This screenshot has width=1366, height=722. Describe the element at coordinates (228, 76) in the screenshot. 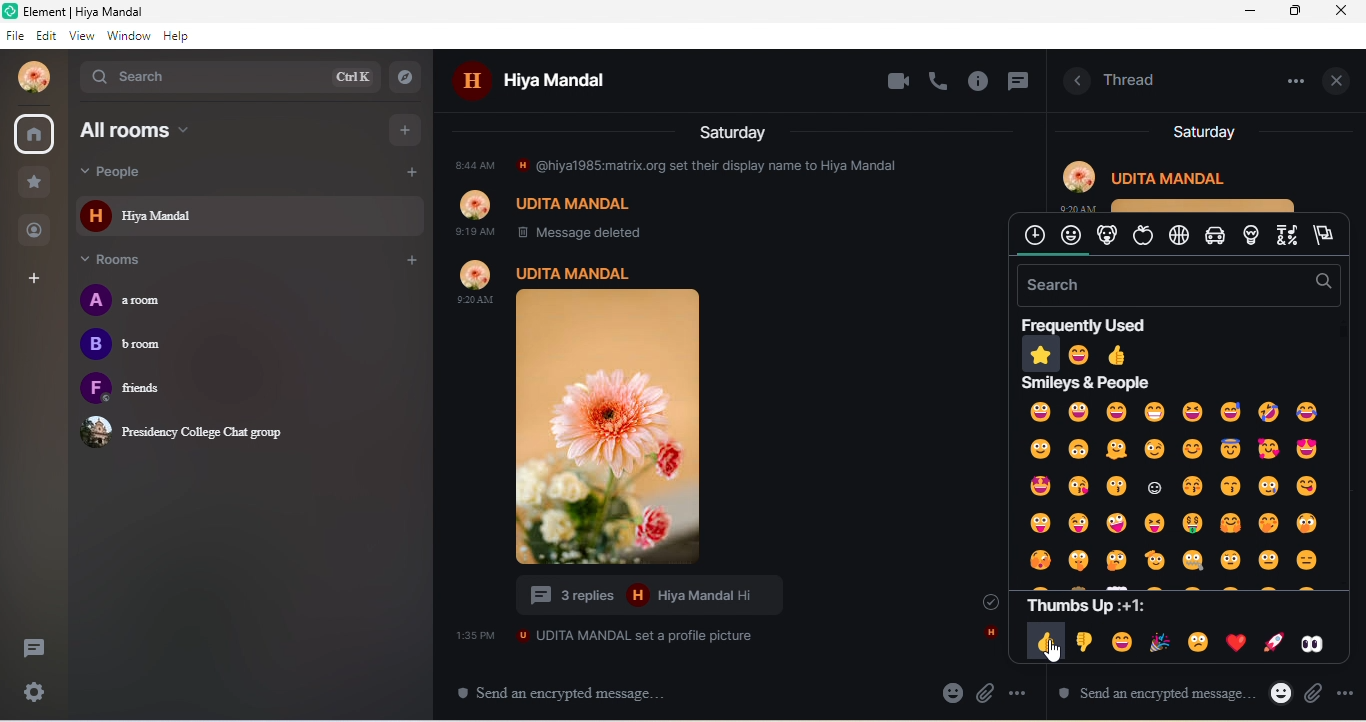

I see `search` at that location.